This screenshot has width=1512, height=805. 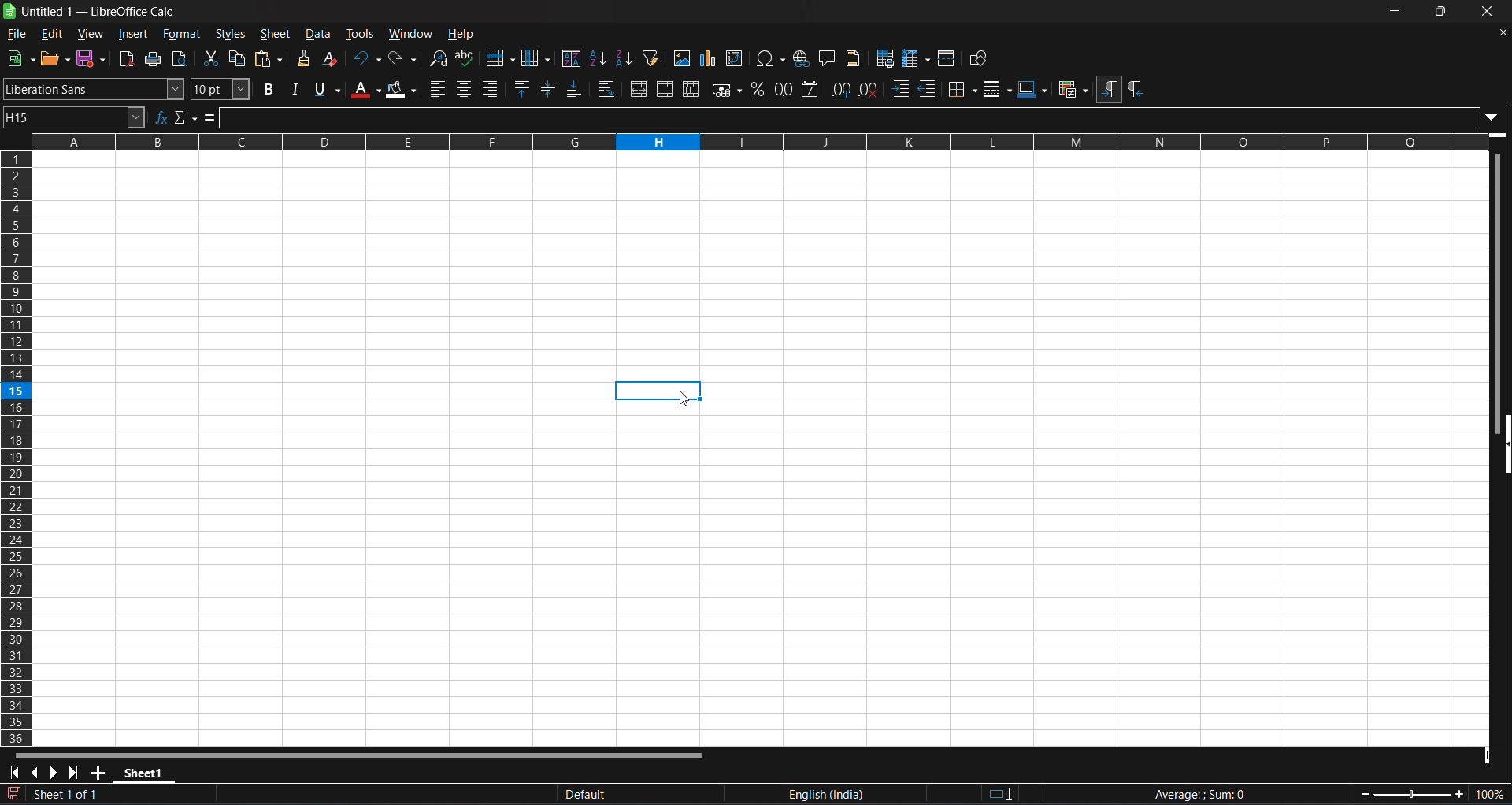 What do you see at coordinates (234, 35) in the screenshot?
I see `styles` at bounding box center [234, 35].